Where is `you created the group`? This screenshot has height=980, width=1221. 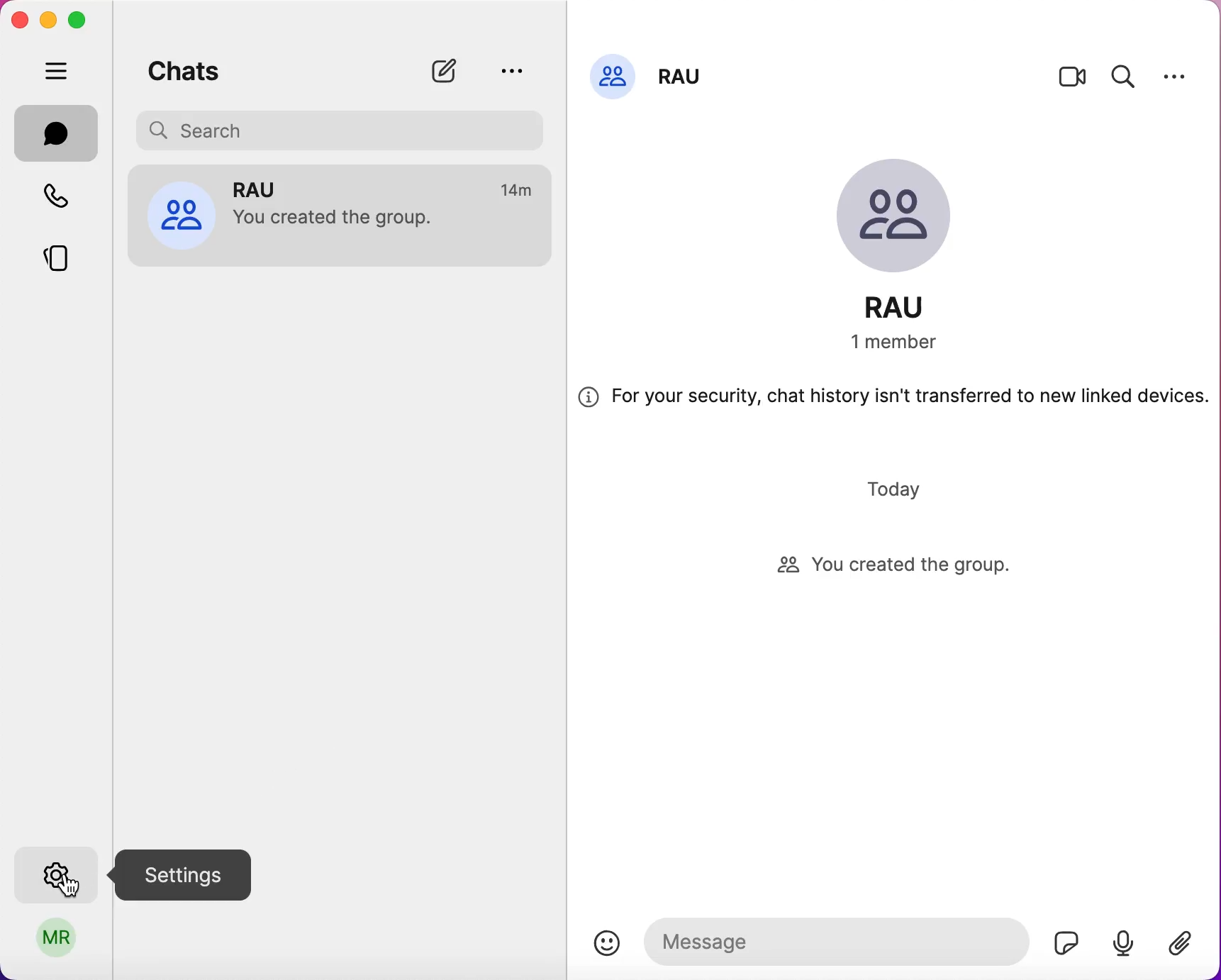 you created the group is located at coordinates (896, 566).